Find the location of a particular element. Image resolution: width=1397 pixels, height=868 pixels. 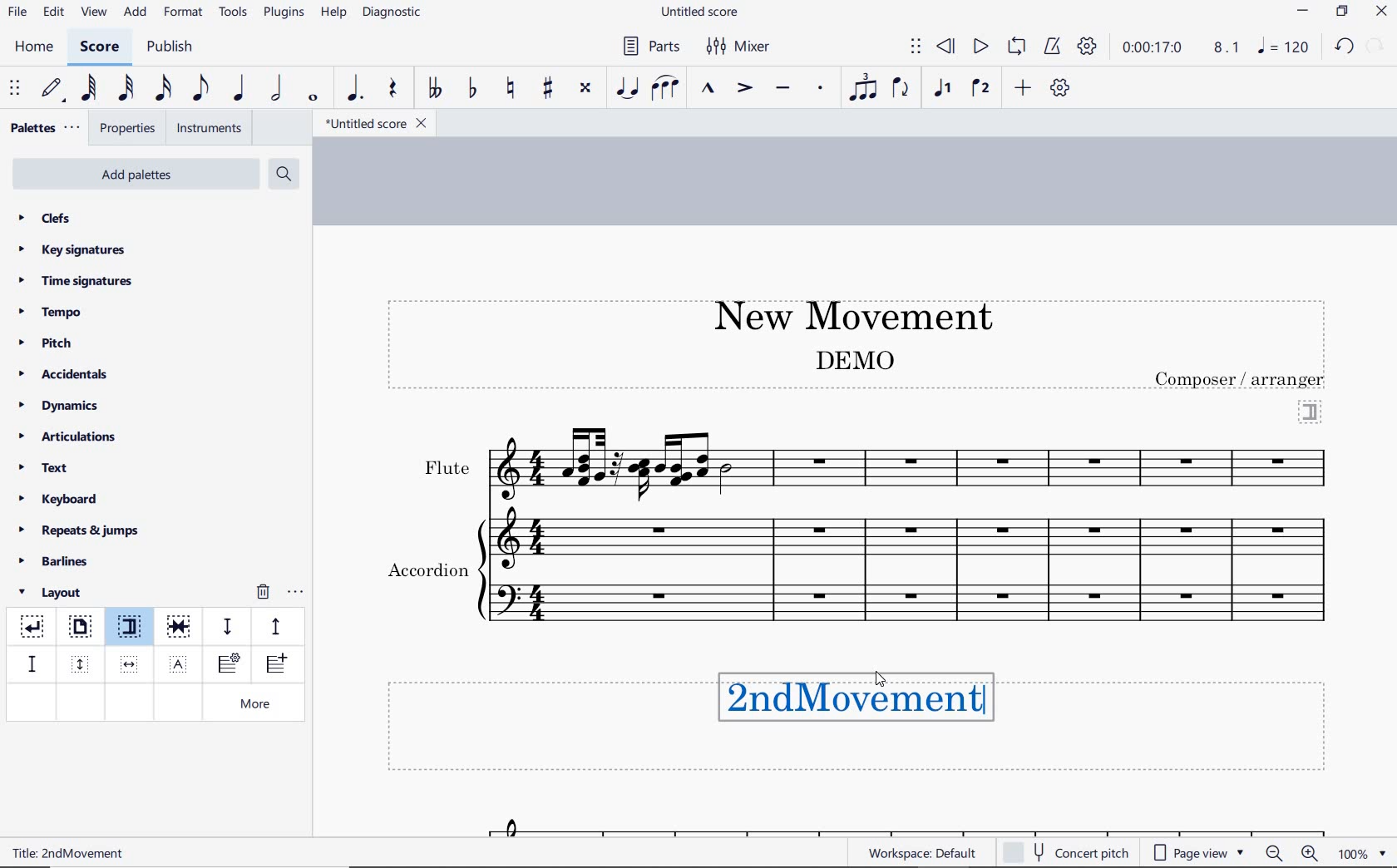

default (step time) is located at coordinates (53, 89).